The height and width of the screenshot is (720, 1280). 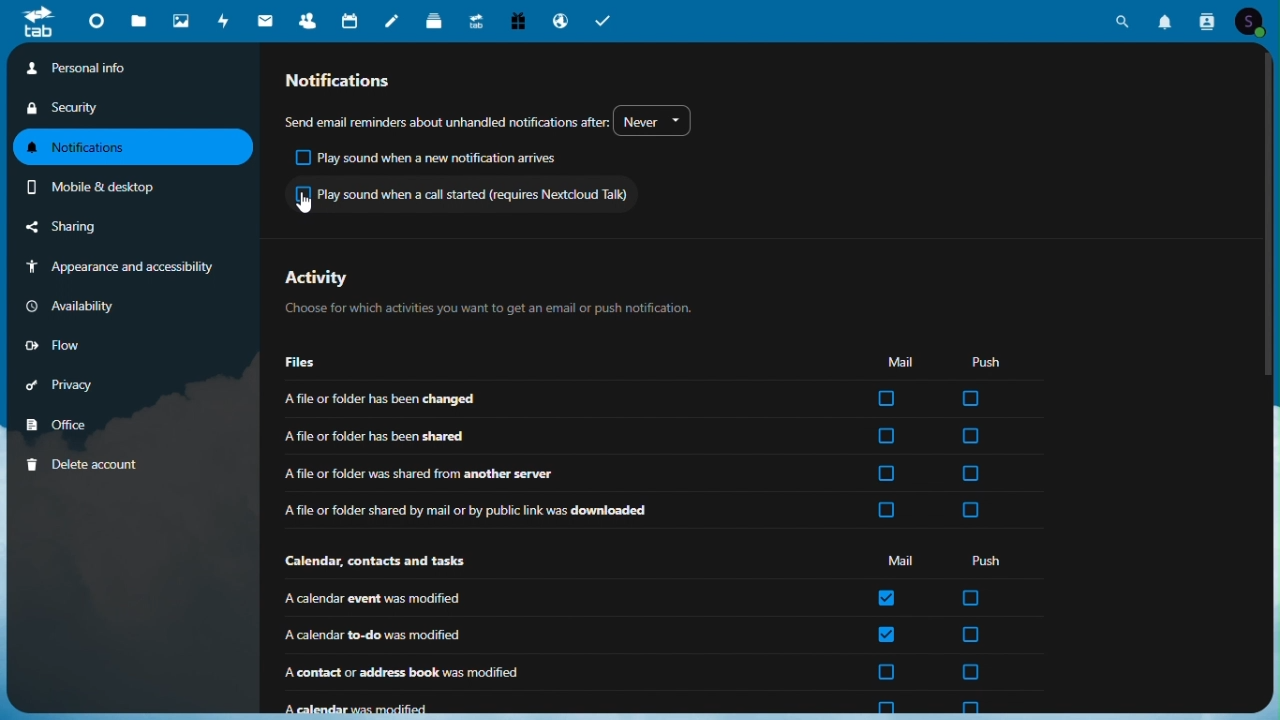 I want to click on task, so click(x=603, y=18).